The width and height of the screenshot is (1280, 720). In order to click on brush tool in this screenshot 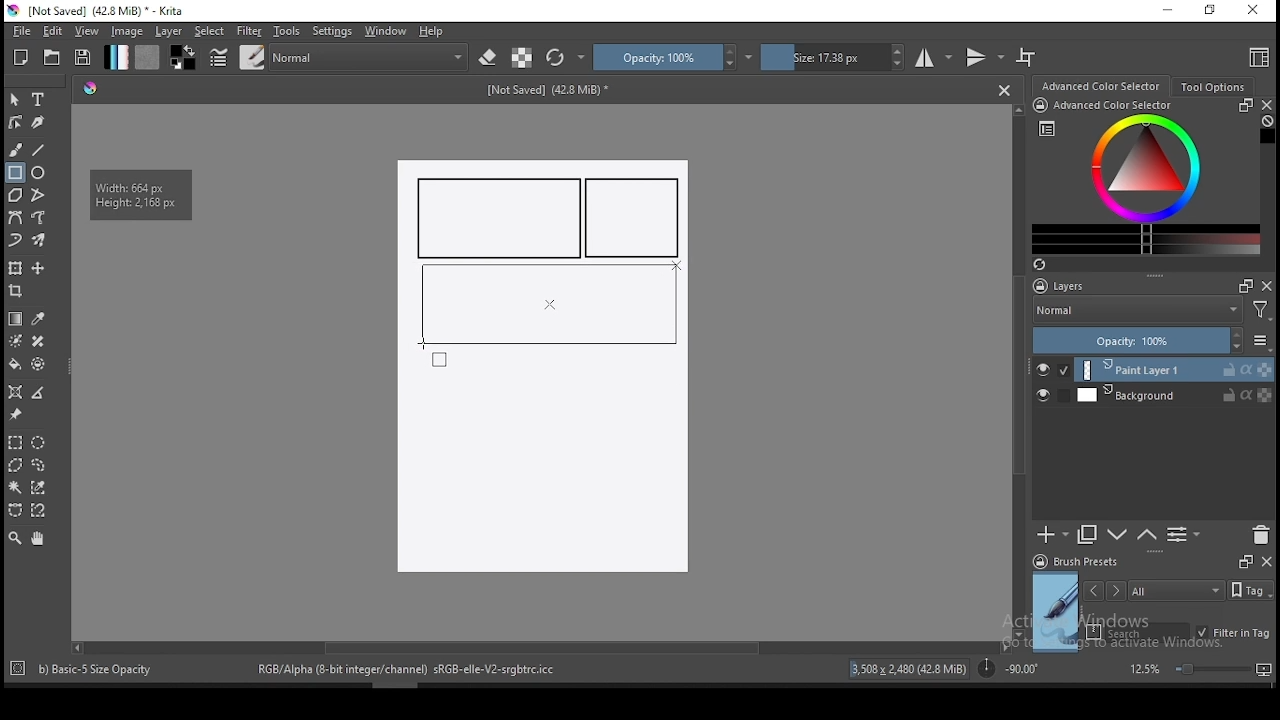, I will do `click(17, 149)`.